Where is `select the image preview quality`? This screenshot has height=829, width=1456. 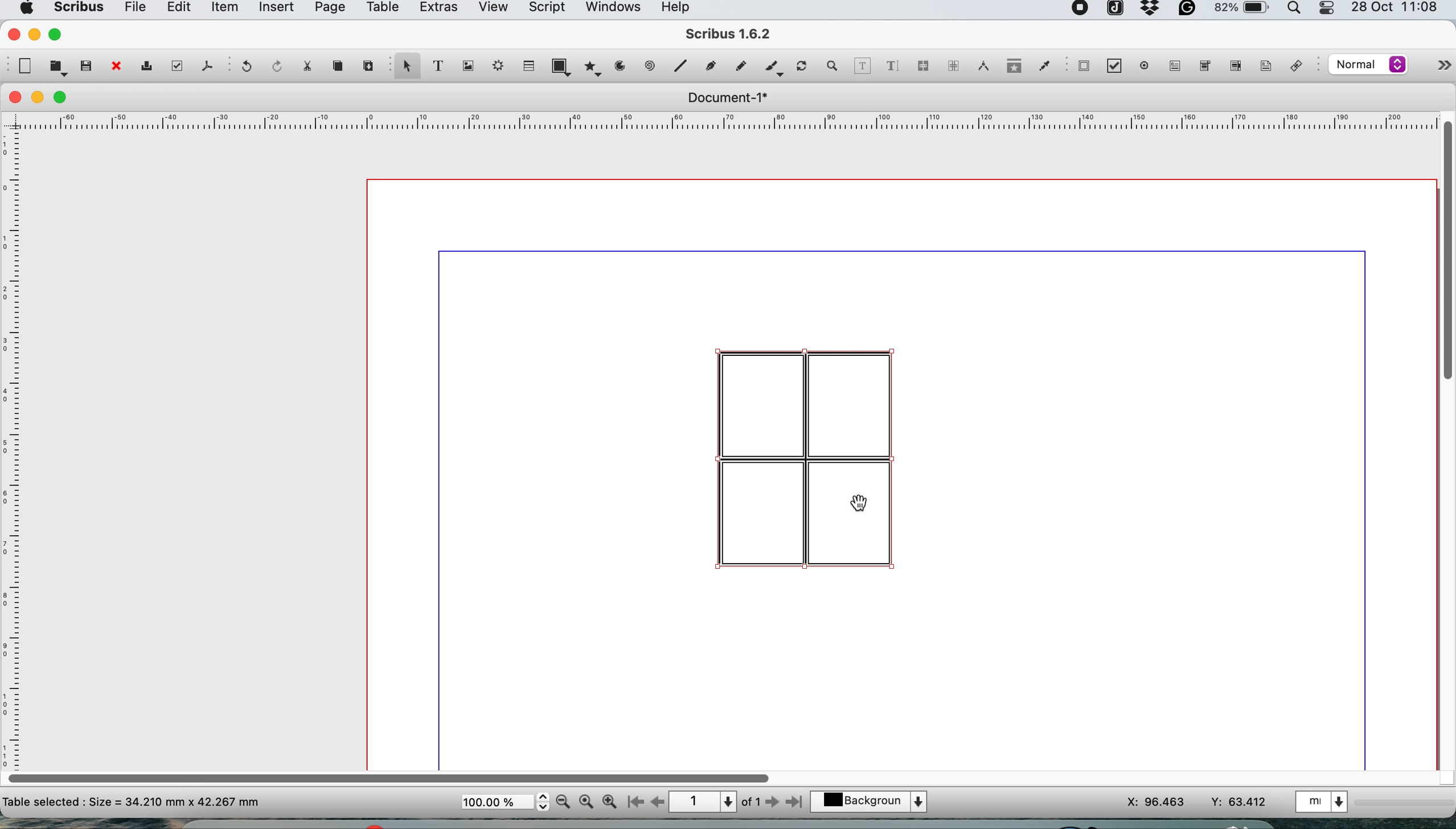
select the image preview quality is located at coordinates (1365, 64).